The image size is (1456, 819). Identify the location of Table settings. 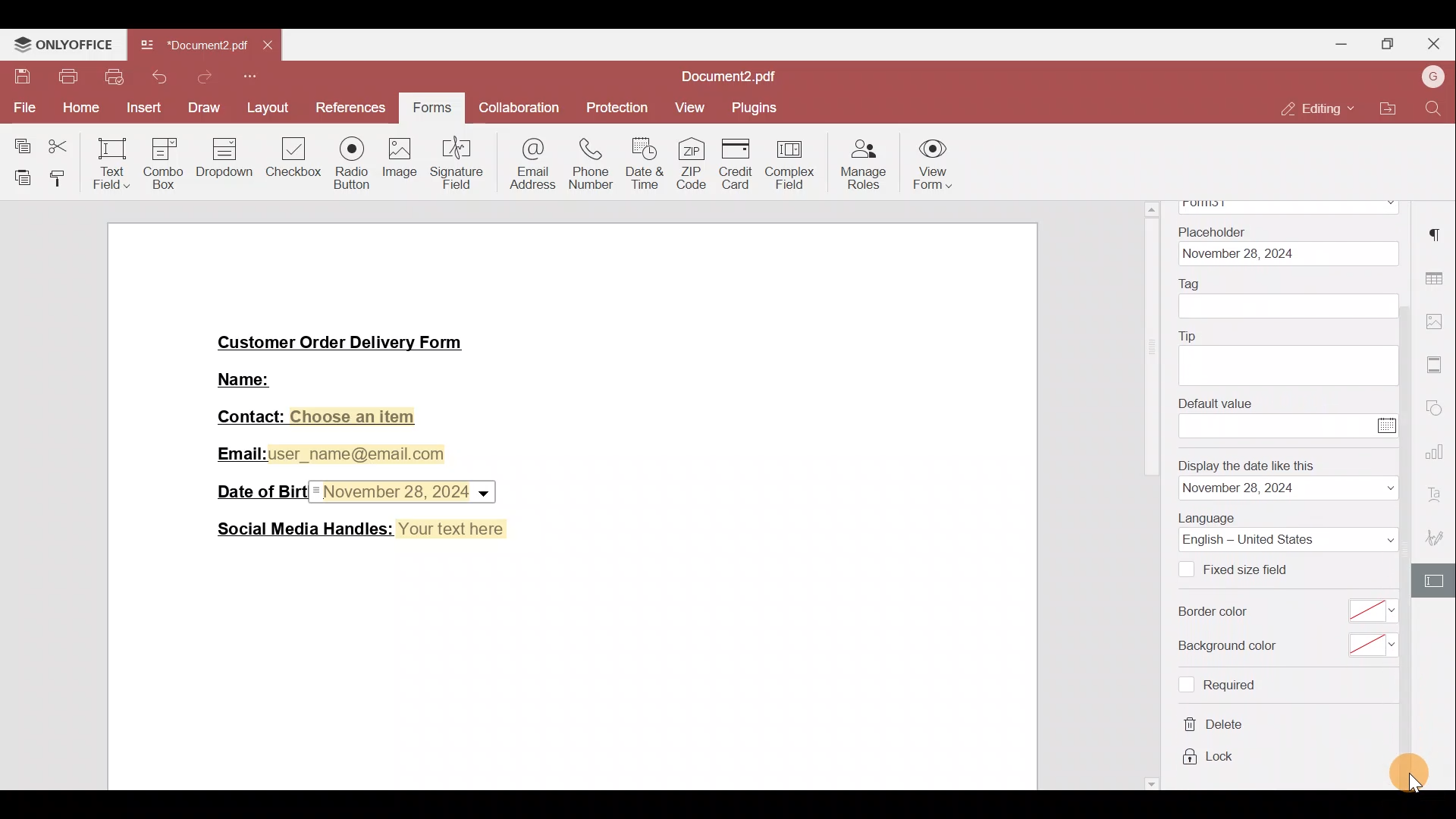
(1438, 279).